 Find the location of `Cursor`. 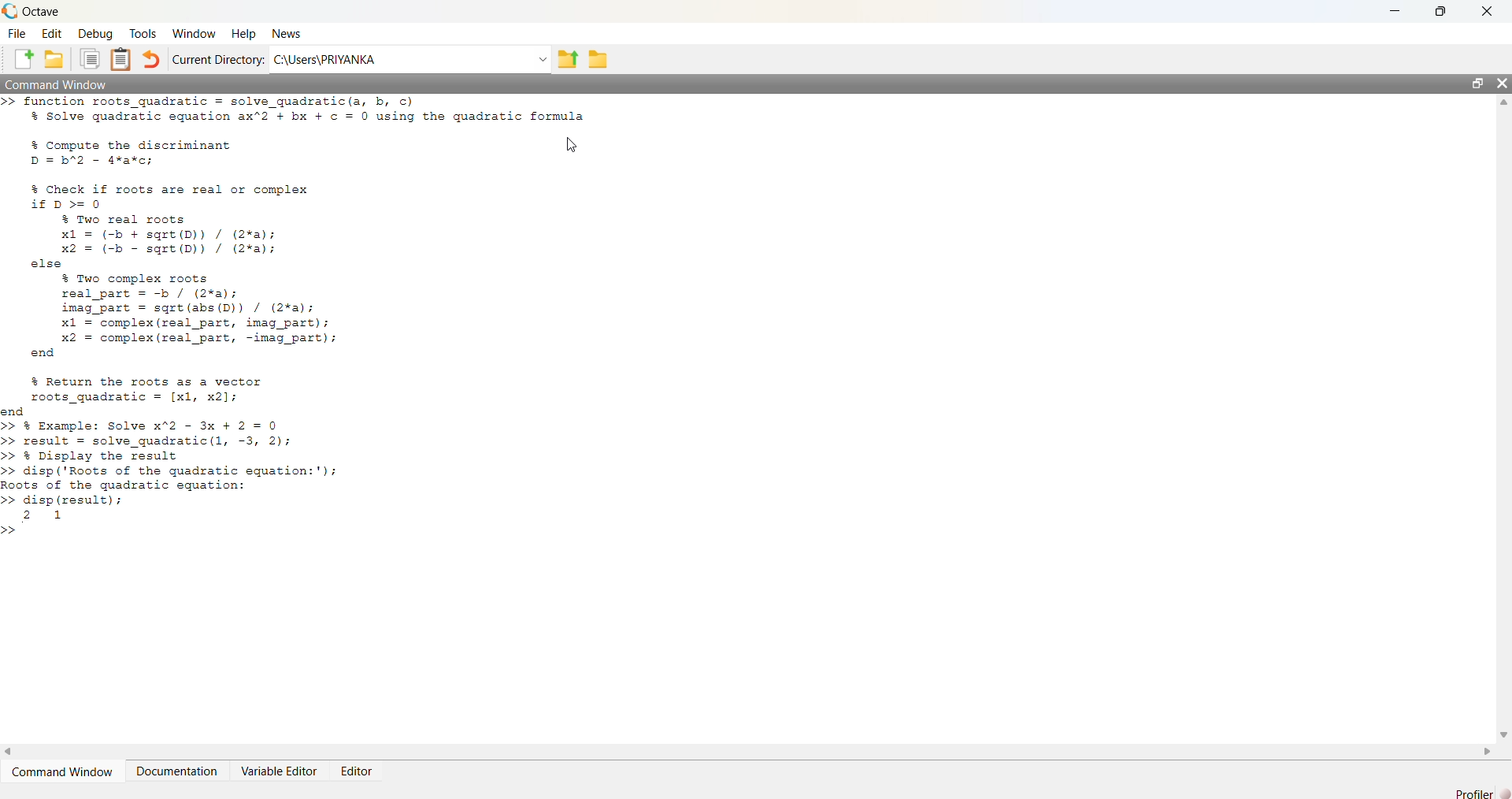

Cursor is located at coordinates (573, 145).